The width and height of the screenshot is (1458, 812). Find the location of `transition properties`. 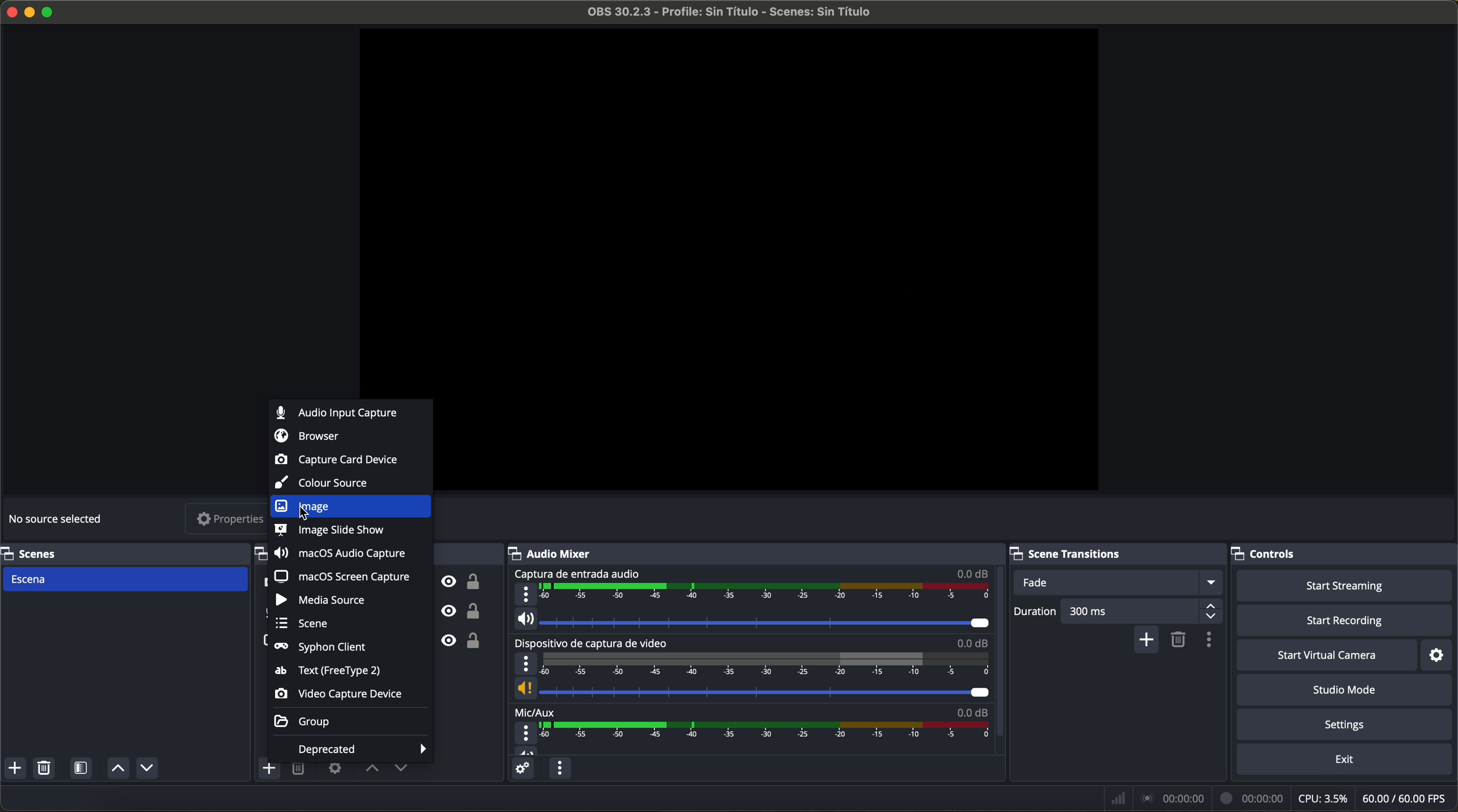

transition properties is located at coordinates (1212, 641).